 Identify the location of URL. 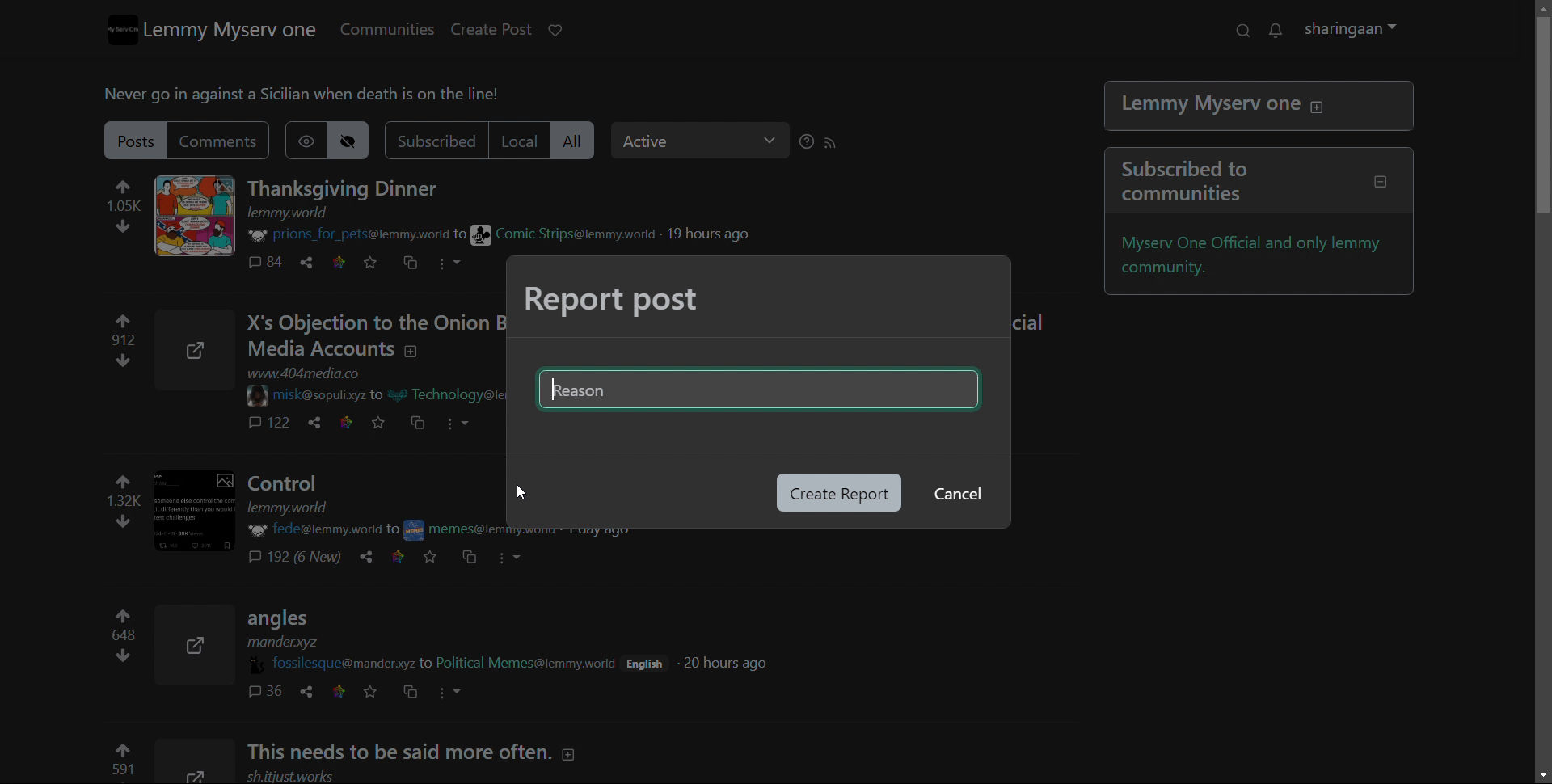
(297, 213).